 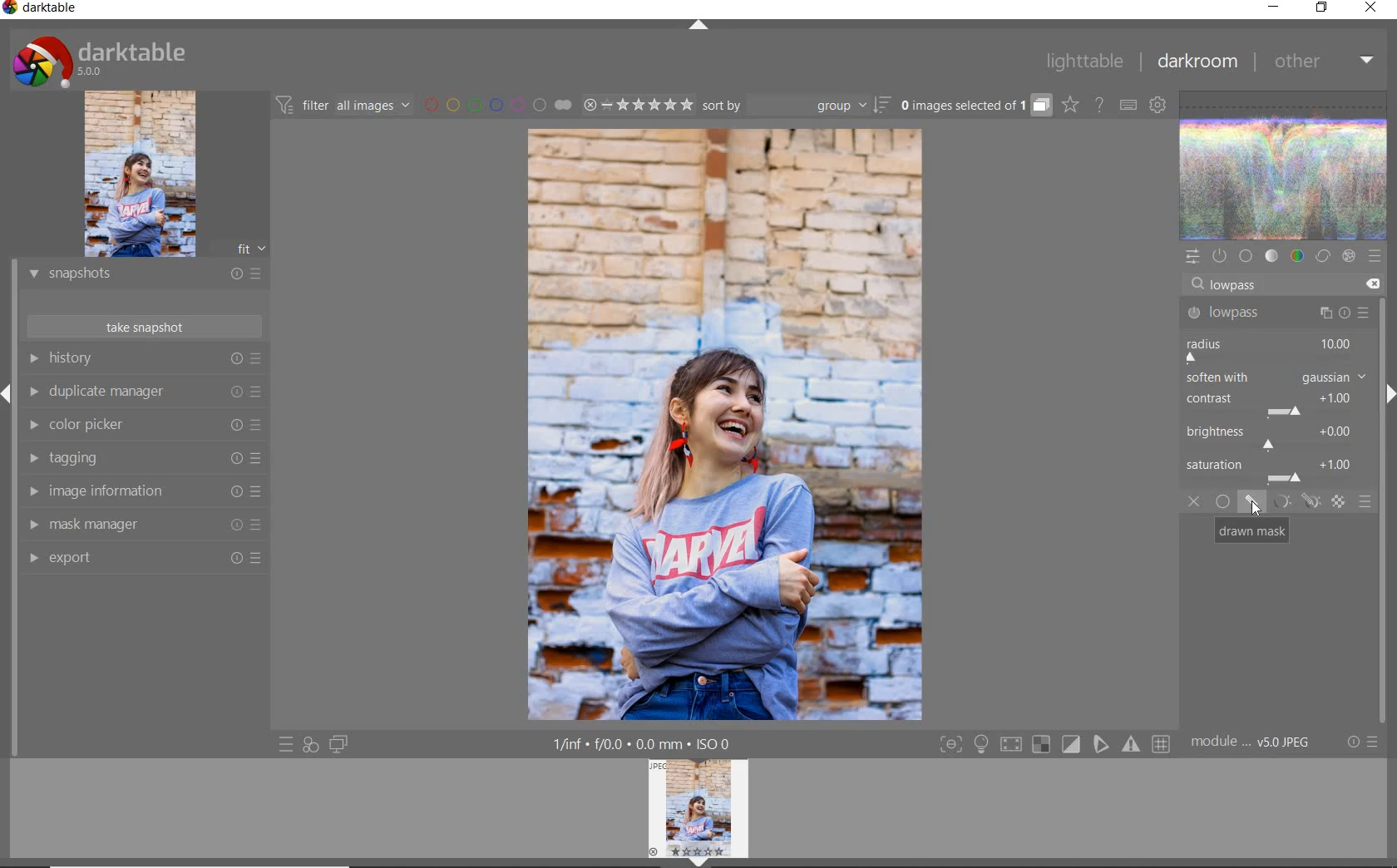 I want to click on take snapshots, so click(x=143, y=328).